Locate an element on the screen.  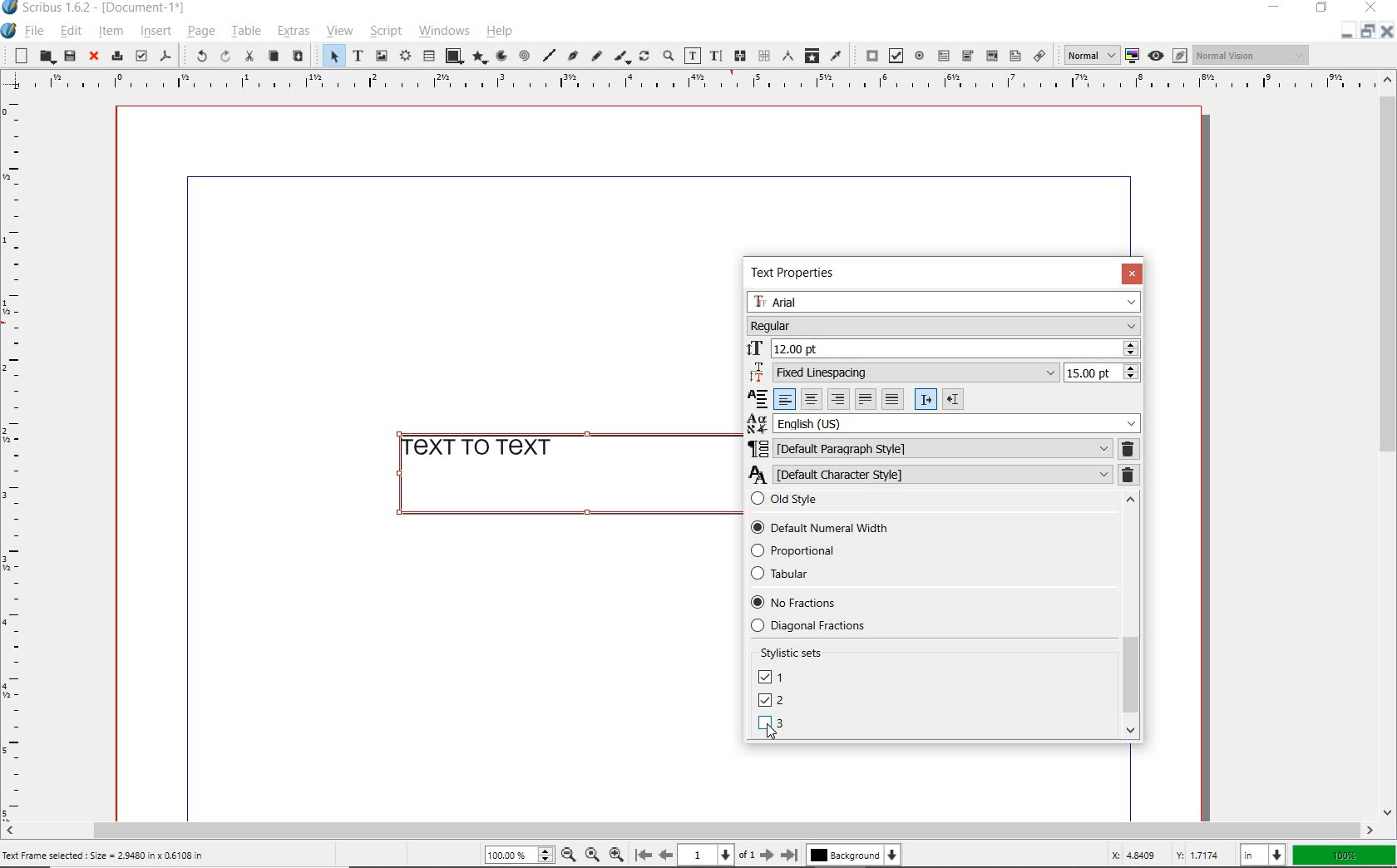
Right align is located at coordinates (837, 400).